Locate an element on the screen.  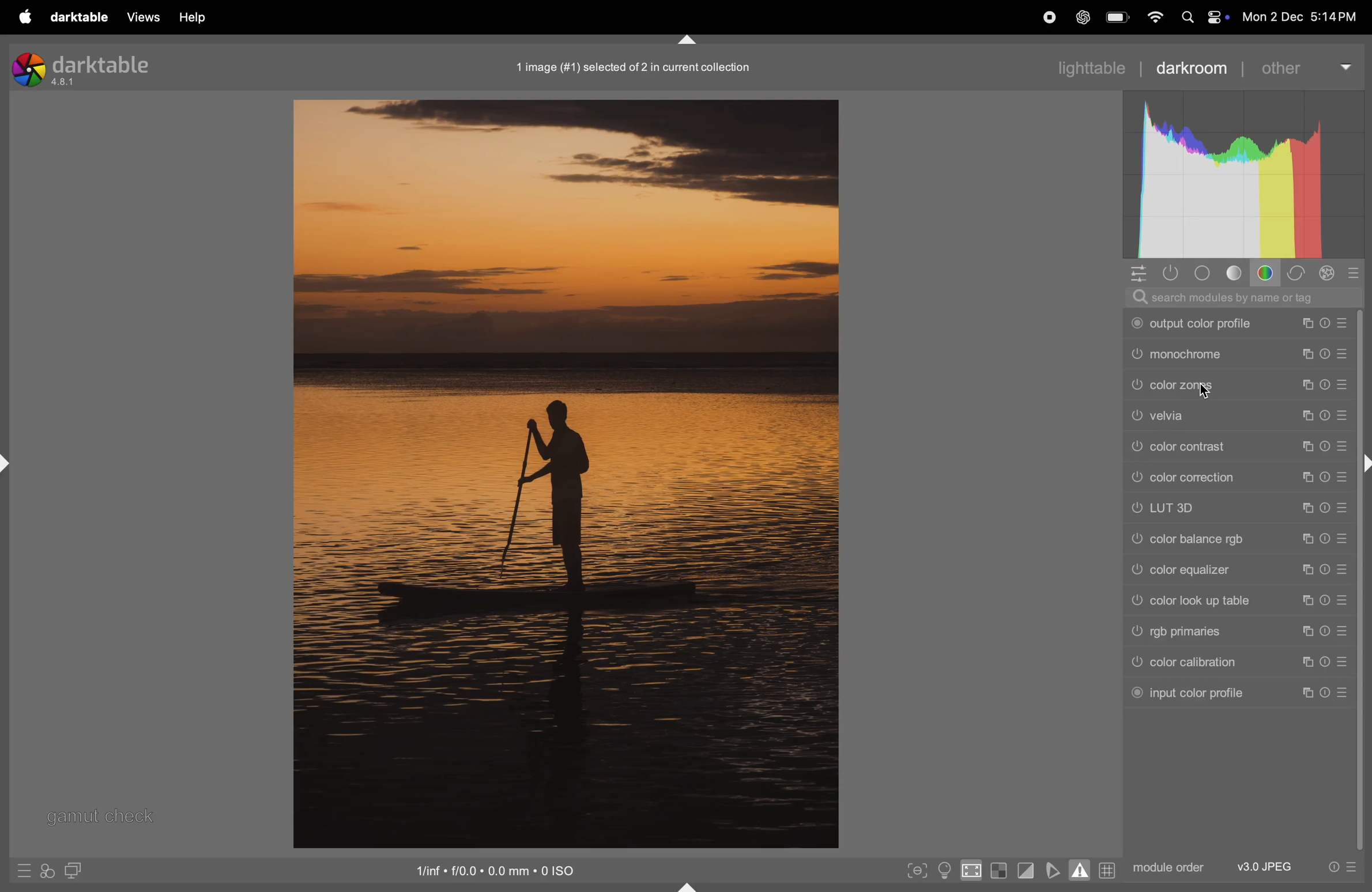
Timer is located at coordinates (1322, 323).